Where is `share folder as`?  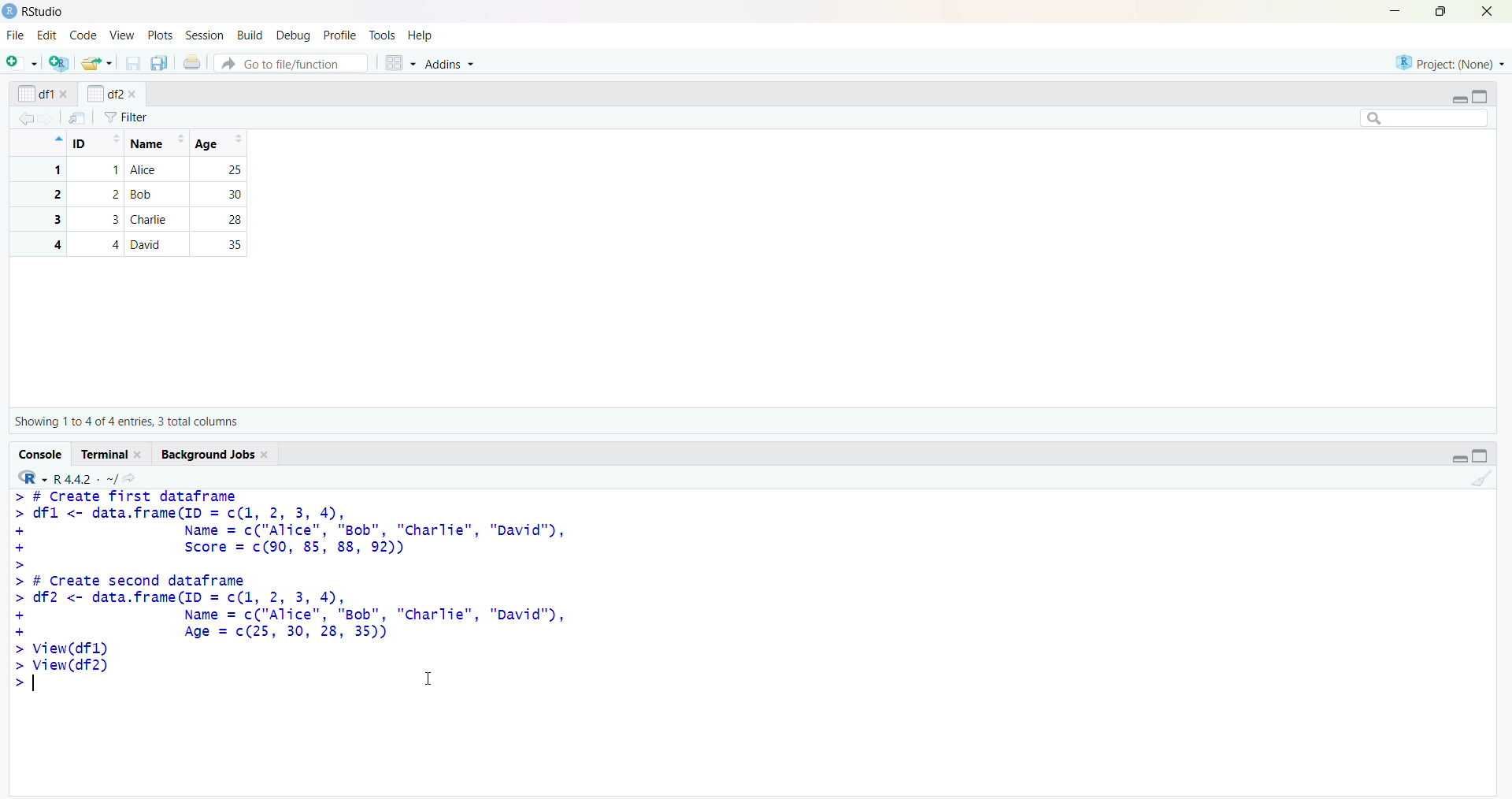
share folder as is located at coordinates (98, 63).